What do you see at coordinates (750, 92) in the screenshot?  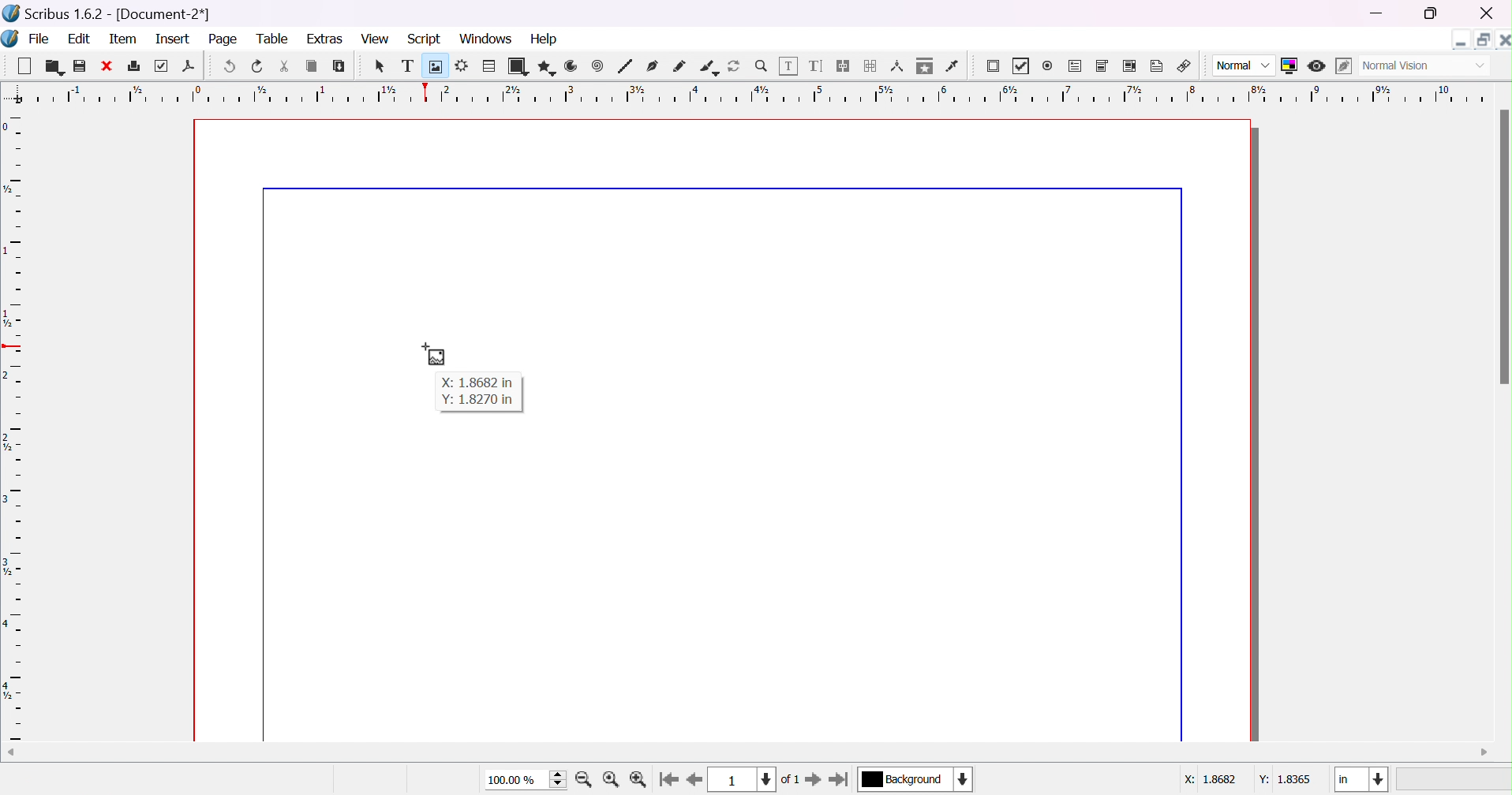 I see `ruler` at bounding box center [750, 92].